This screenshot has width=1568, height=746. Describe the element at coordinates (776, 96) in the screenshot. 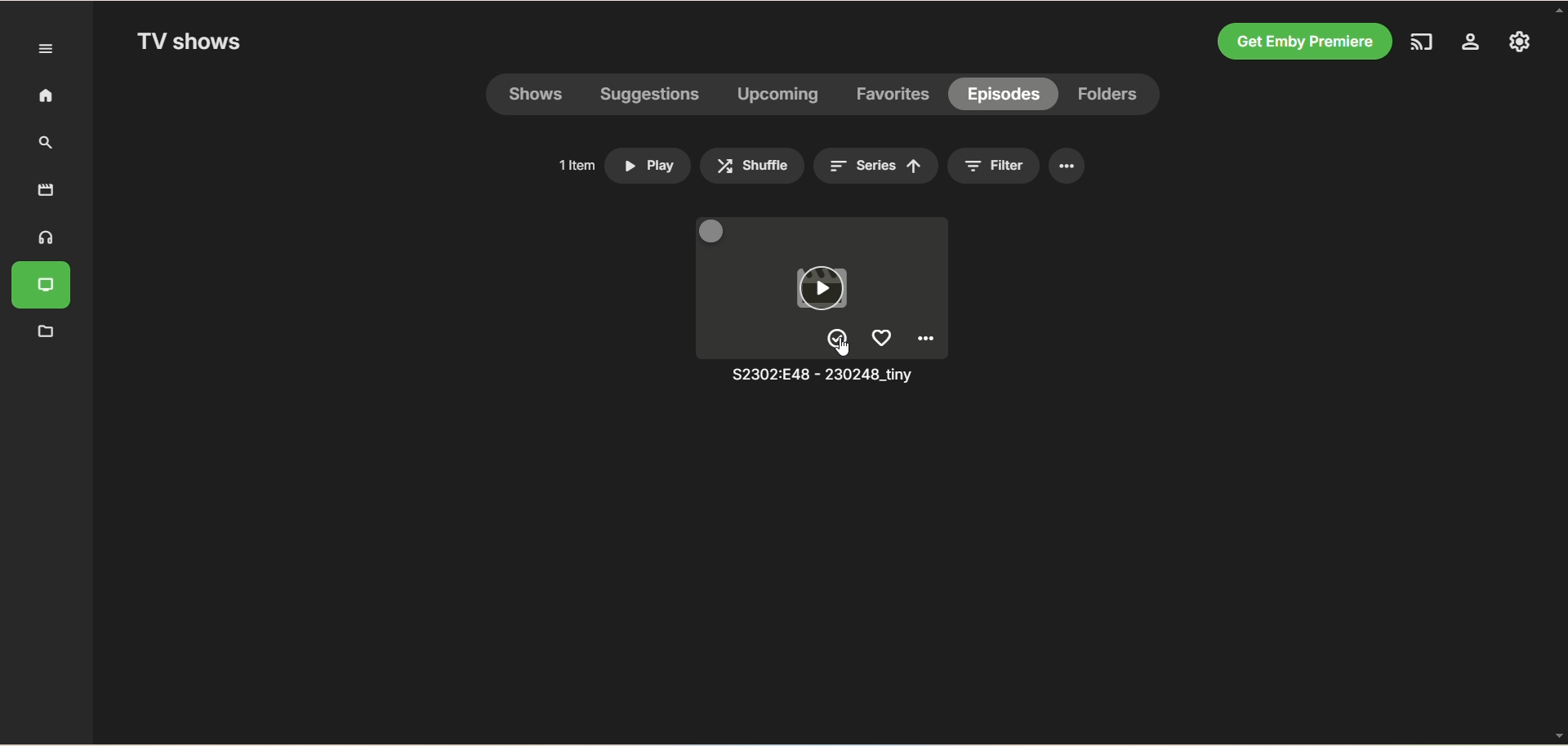

I see `upcoming` at that location.